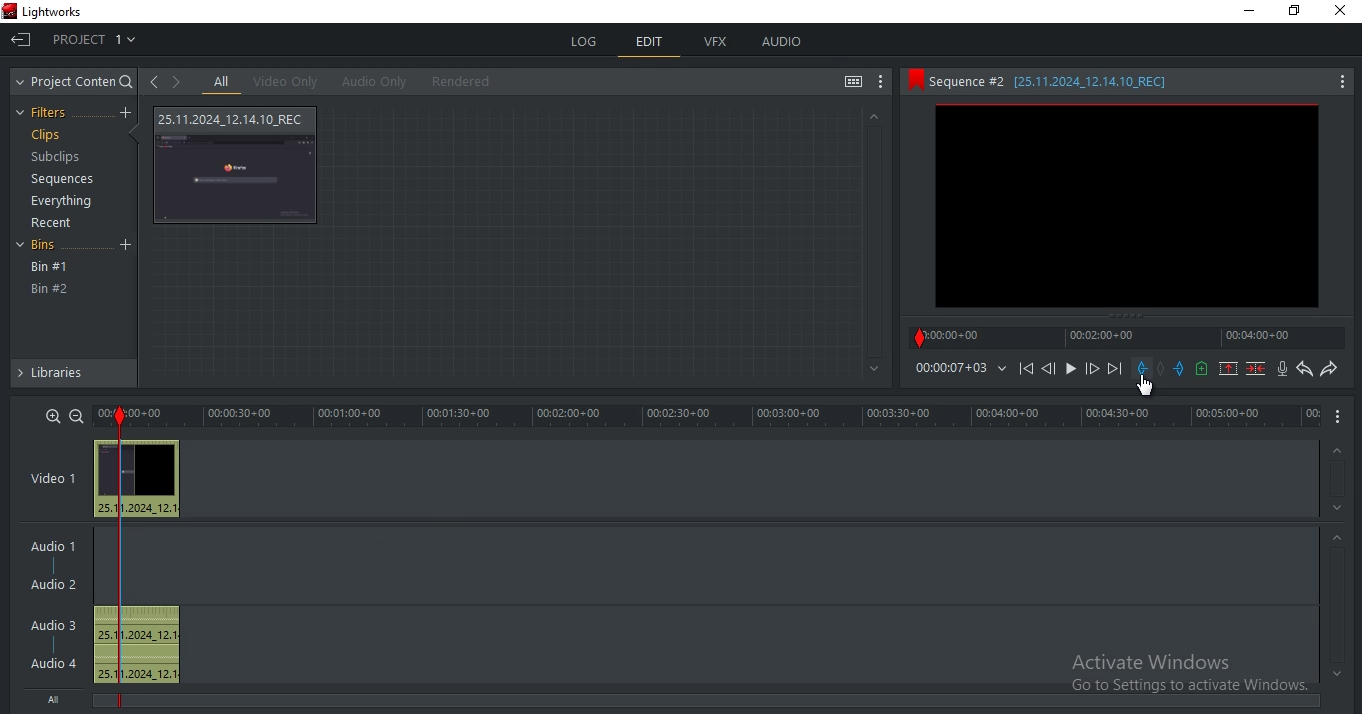 Image resolution: width=1362 pixels, height=714 pixels. Describe the element at coordinates (52, 663) in the screenshot. I see `Audio 4` at that location.